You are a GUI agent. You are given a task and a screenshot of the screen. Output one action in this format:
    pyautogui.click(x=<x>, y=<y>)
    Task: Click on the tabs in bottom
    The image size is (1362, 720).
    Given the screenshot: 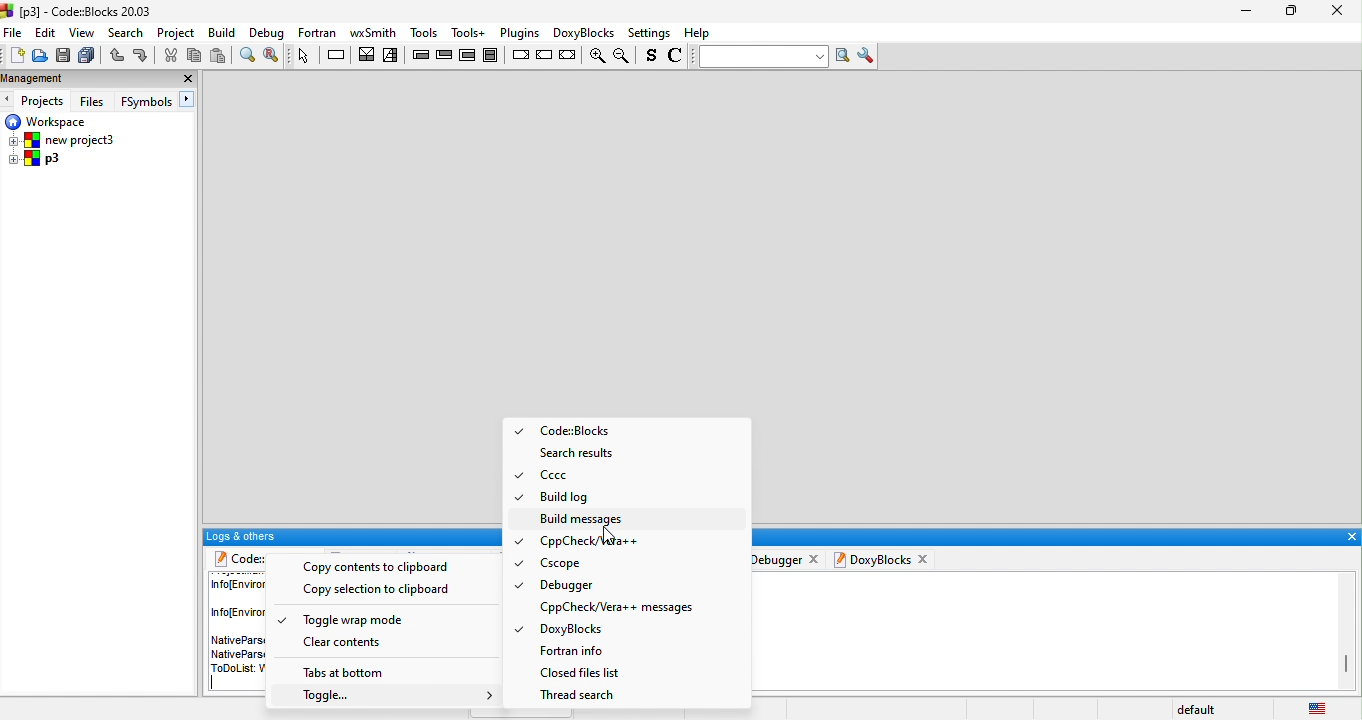 What is the action you would take?
    pyautogui.click(x=348, y=674)
    